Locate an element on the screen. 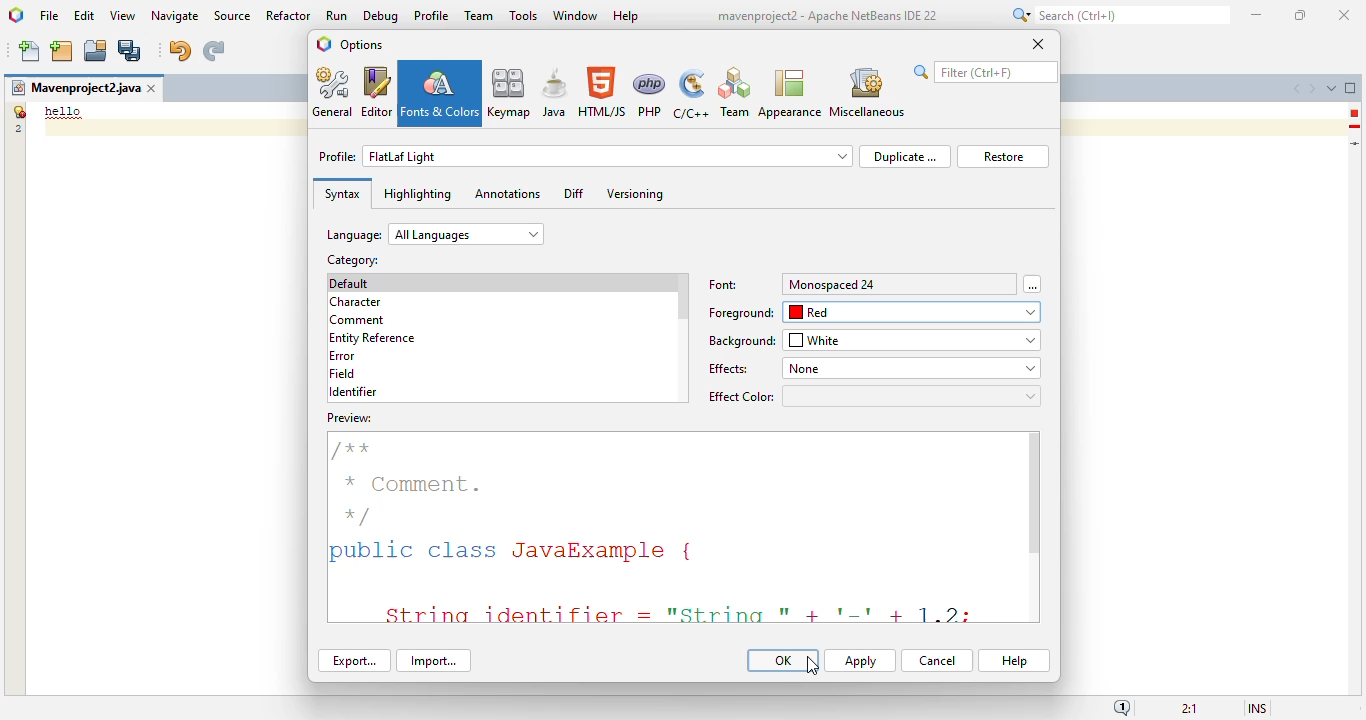 The width and height of the screenshot is (1366, 720). help is located at coordinates (627, 17).